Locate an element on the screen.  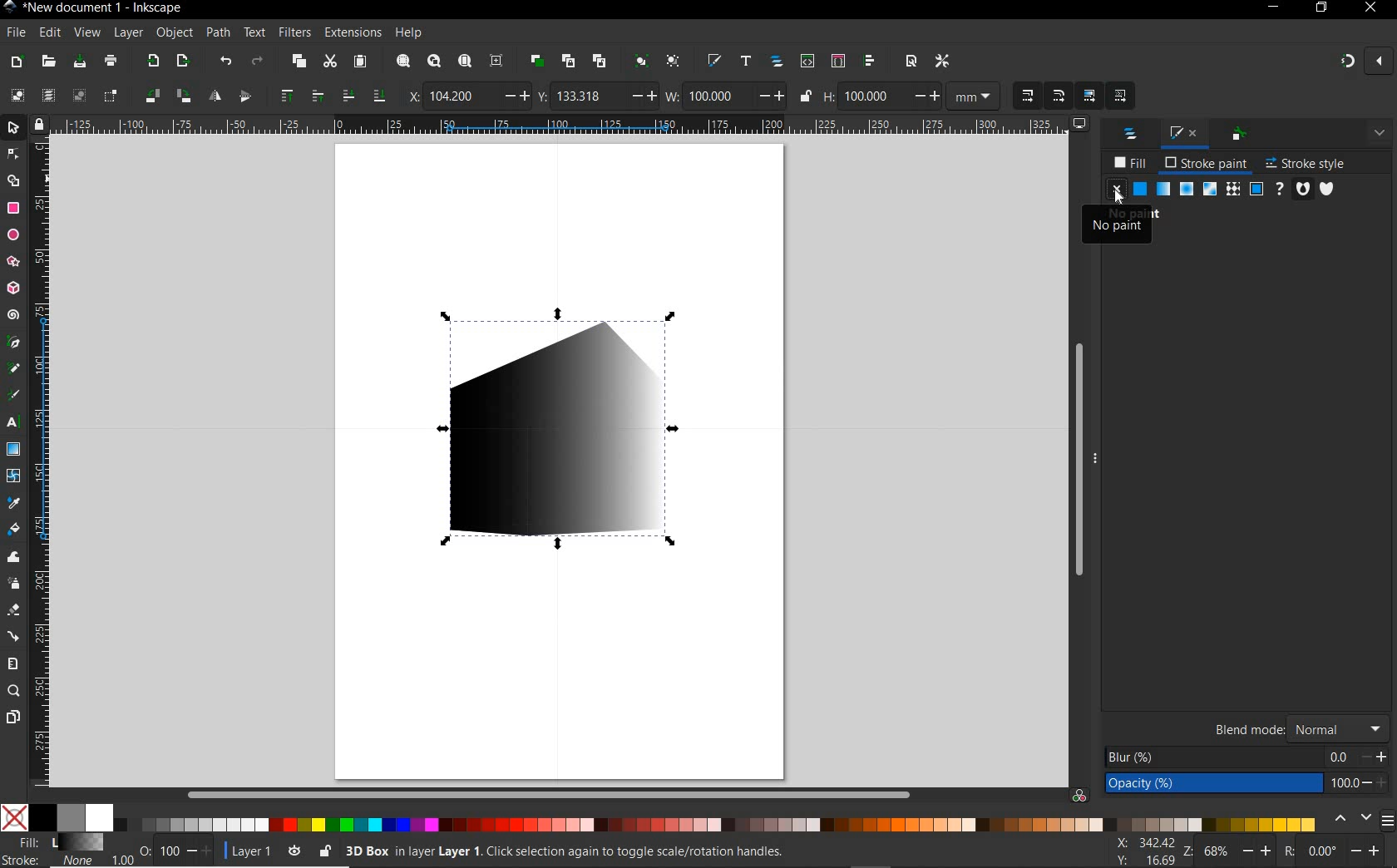
ZOOM DRAWING is located at coordinates (432, 62).